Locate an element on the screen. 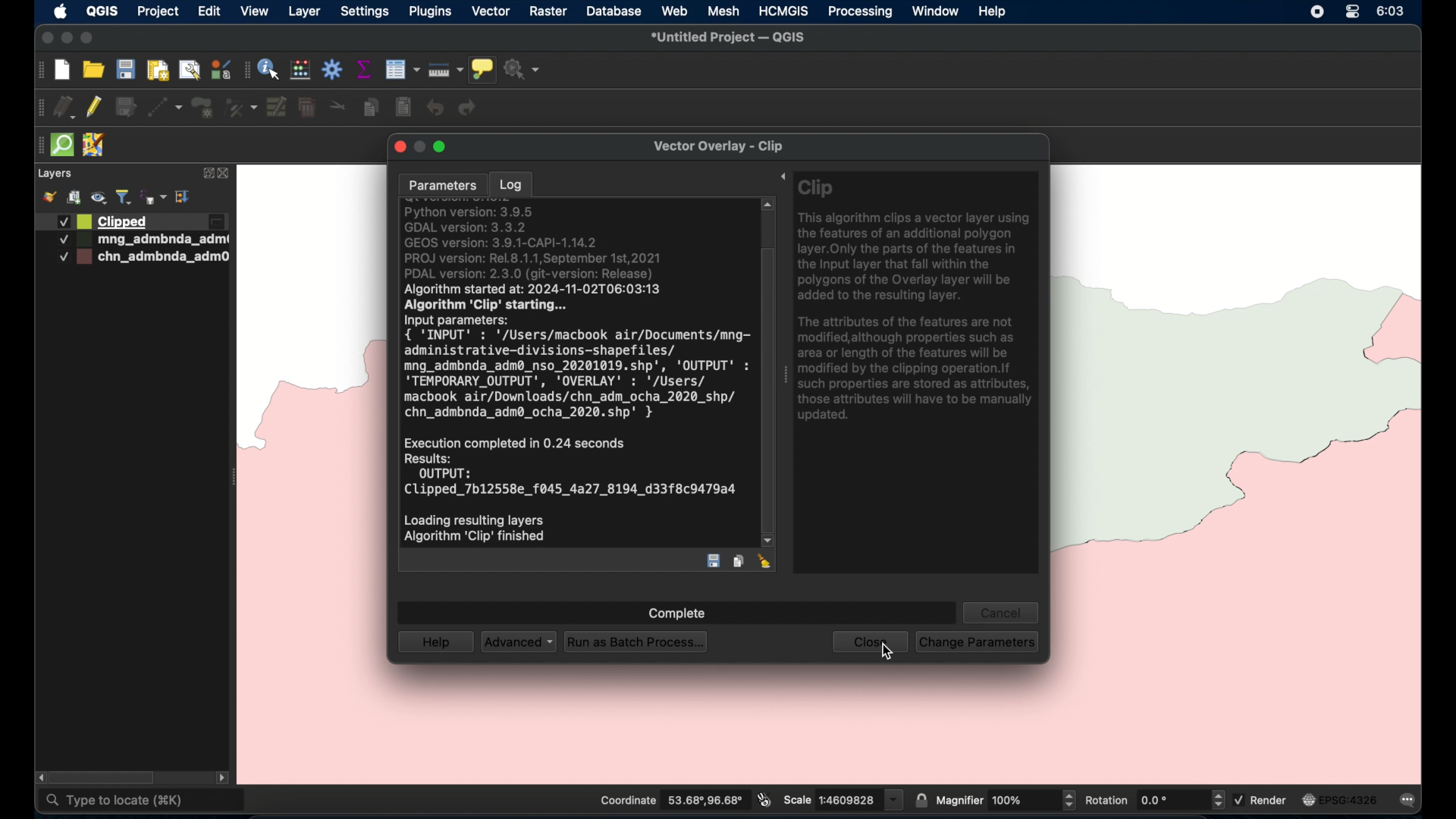 The width and height of the screenshot is (1456, 819). control center is located at coordinates (1352, 11).